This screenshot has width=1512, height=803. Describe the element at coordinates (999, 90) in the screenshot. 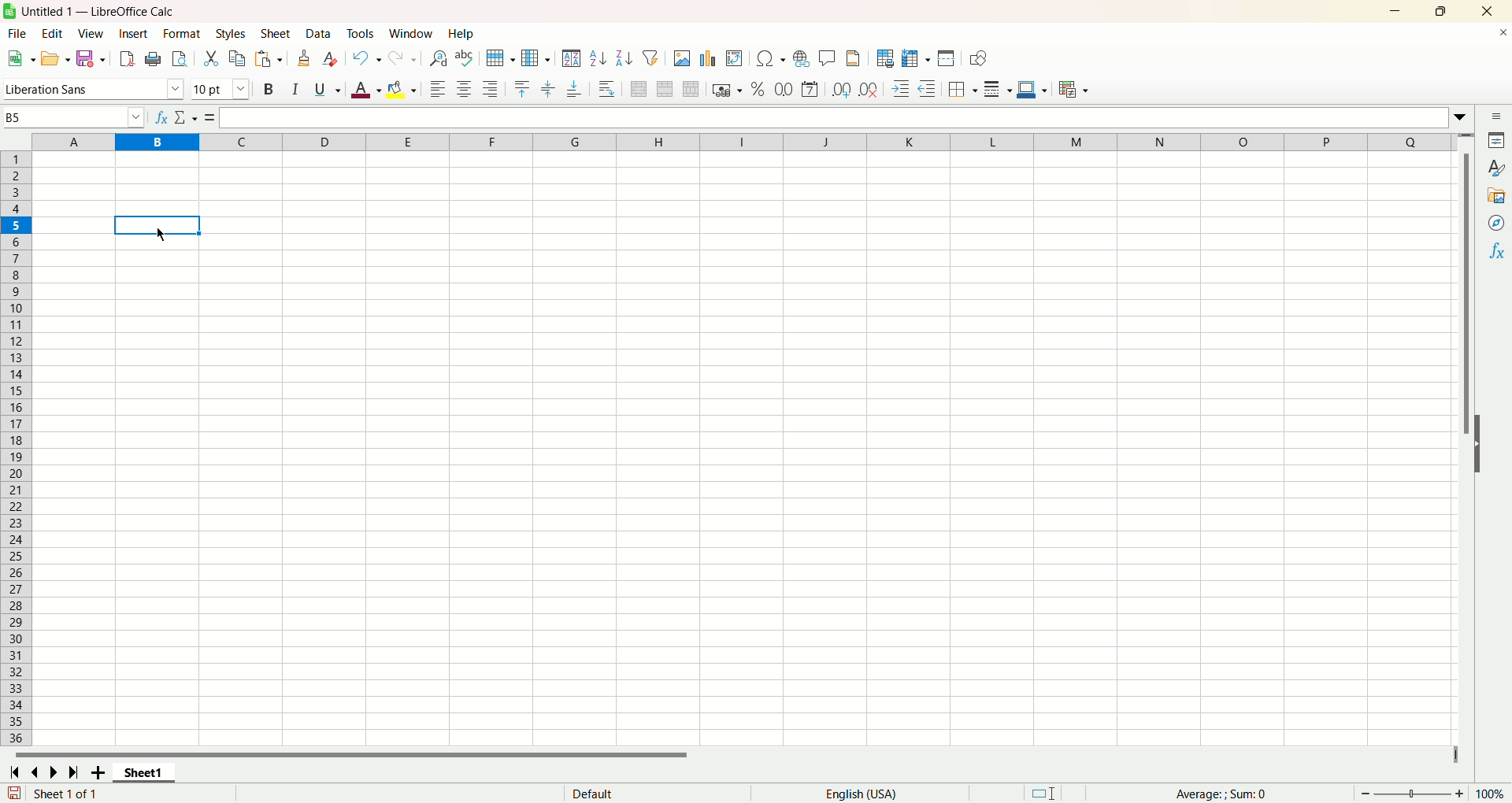

I see `border style` at that location.